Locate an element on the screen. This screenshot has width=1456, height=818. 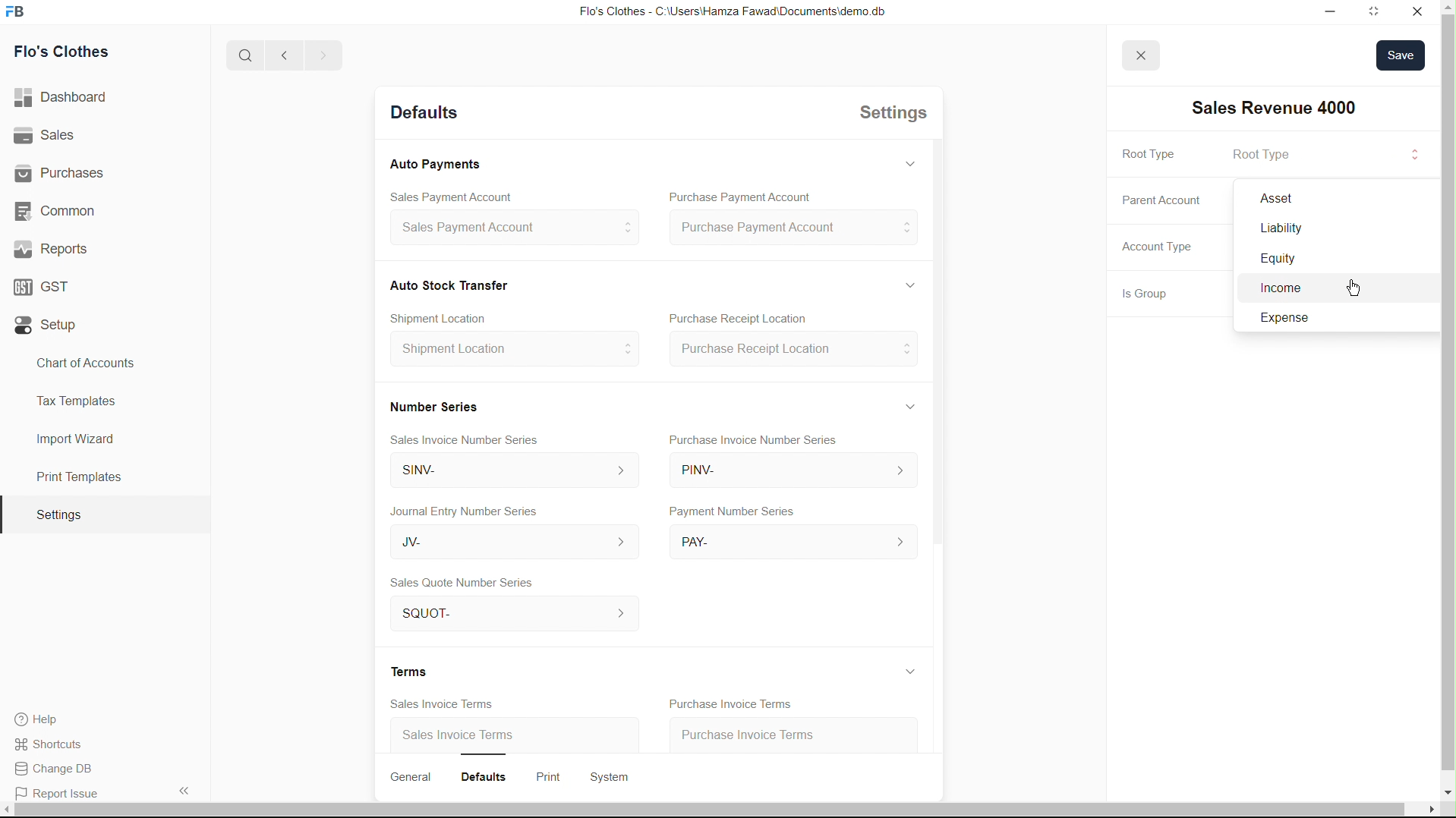
Import Wizard is located at coordinates (75, 439).